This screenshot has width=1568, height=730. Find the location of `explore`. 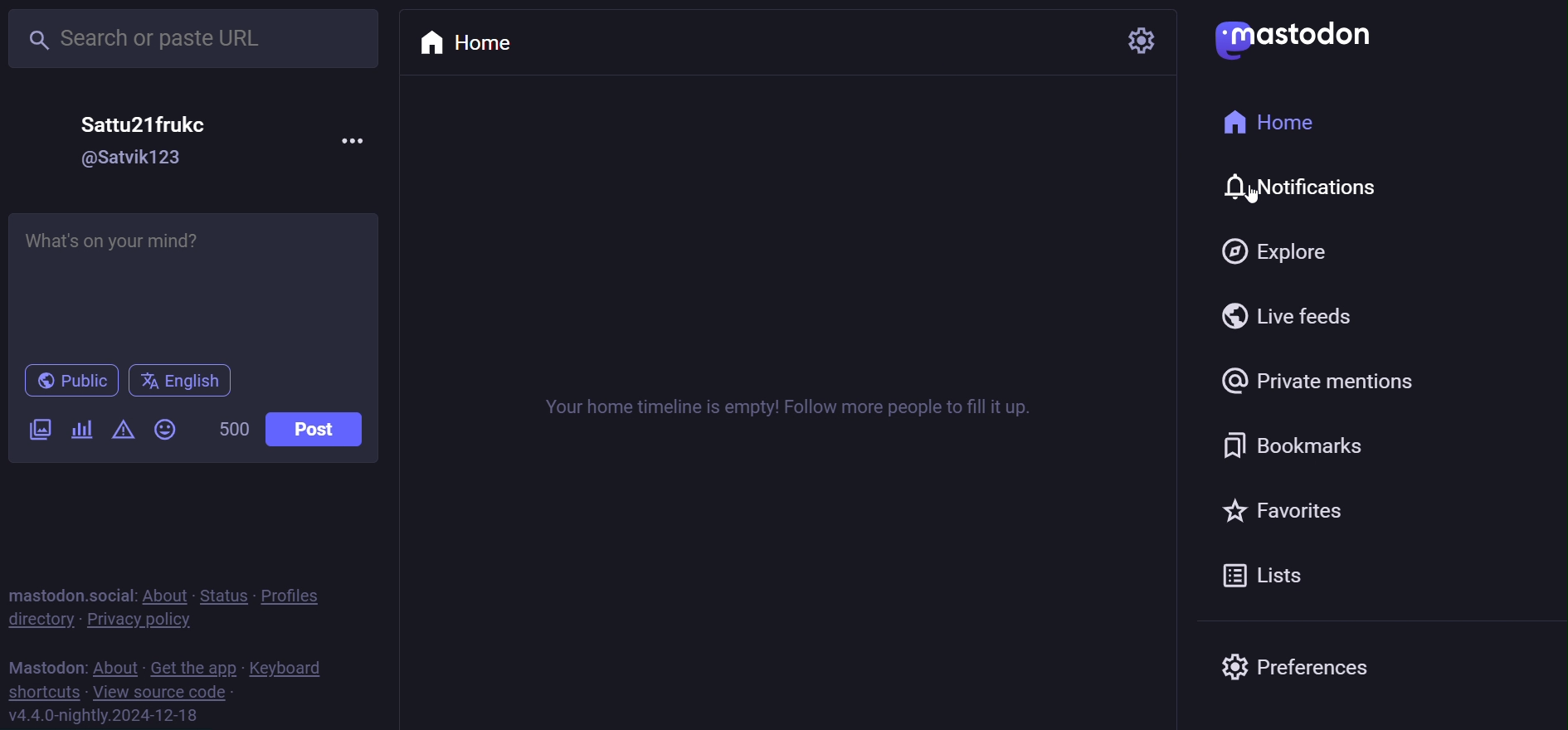

explore is located at coordinates (1278, 253).